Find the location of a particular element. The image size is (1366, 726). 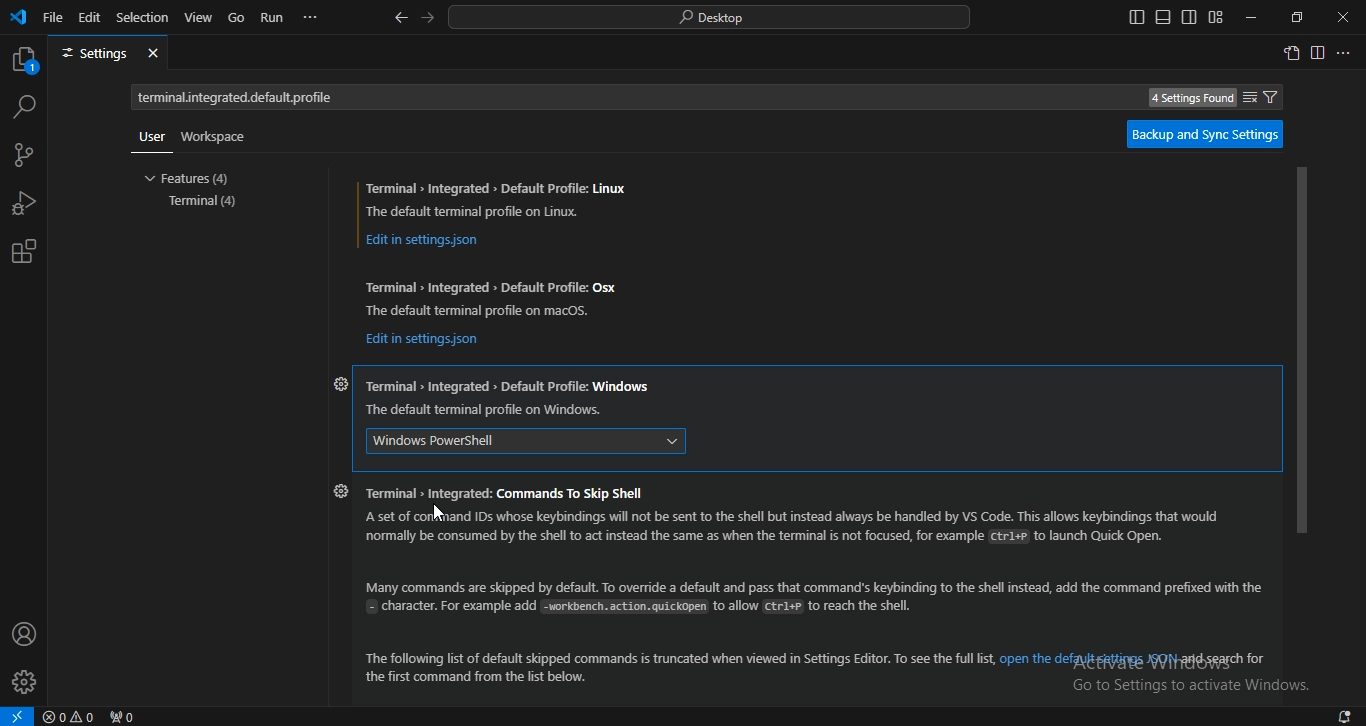

Terminal » Integrated: Commands To Skip ShellA set of command IDs whose keybindings will not be sent to the shell but instead always be handled by Vs Code. This allows keybindings that wouldnormally be consumed by the shell to act instead the same as when the terminal is not focused, for example Ctr1## to launch Quick Open.Many commands are skipped by default. To override a default and pass that command's keybinding to the shell instead, add the command prefixed with the= character. For example add workbench. action. quickopen to allow CEr1+# to reach the shell.“The following list of default skipped commands is truncated when viewed in Settings Editor. To see the full list, open the defaylt ggitings JQ 1esgasch forthe first command from the list below.  is located at coordinates (812, 583).